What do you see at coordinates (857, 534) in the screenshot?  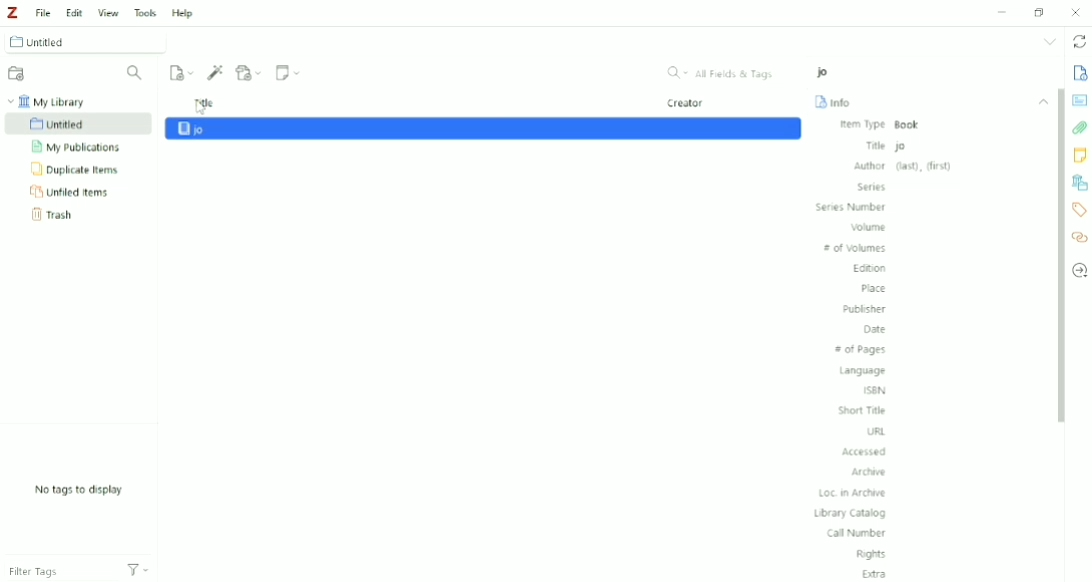 I see `Call Number` at bounding box center [857, 534].